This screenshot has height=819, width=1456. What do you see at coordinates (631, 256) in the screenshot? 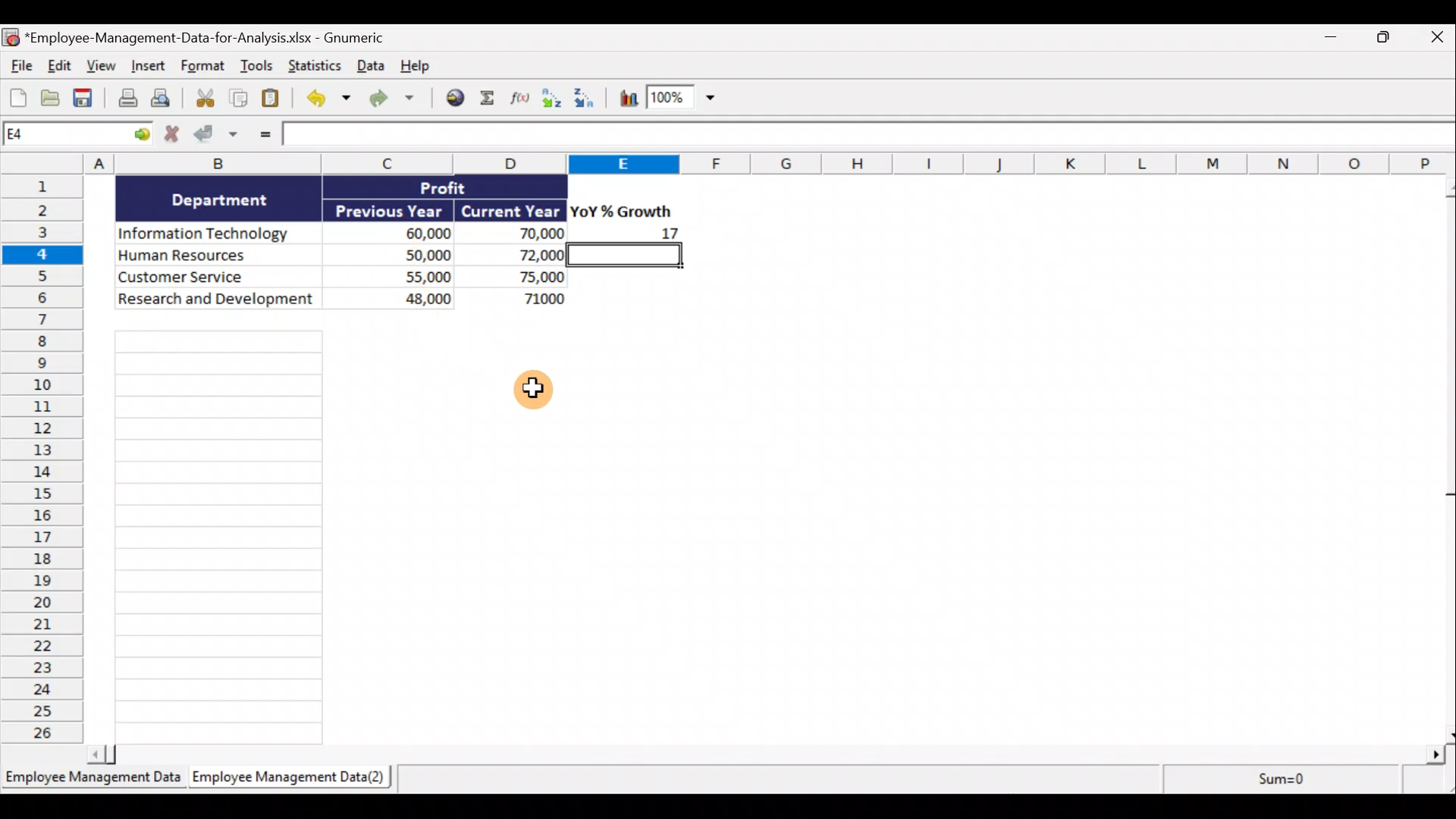
I see `selected cell` at bounding box center [631, 256].